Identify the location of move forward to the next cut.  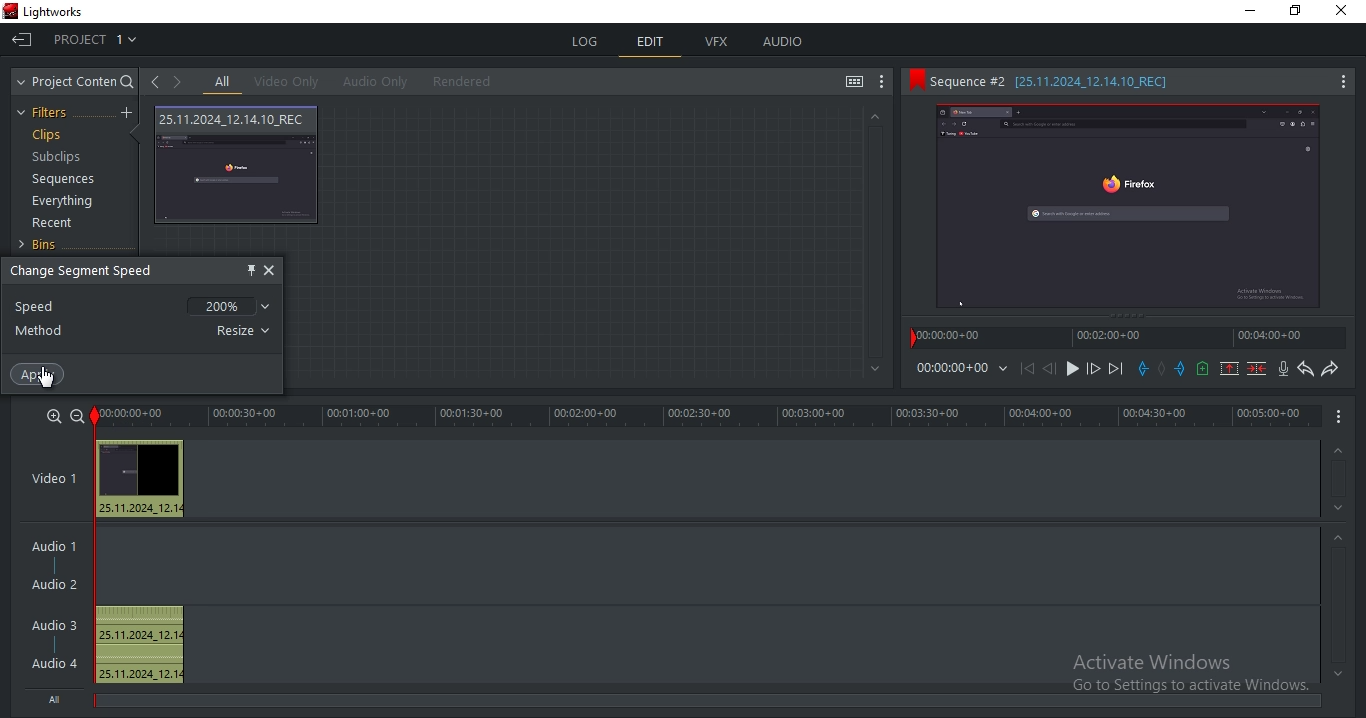
(1114, 369).